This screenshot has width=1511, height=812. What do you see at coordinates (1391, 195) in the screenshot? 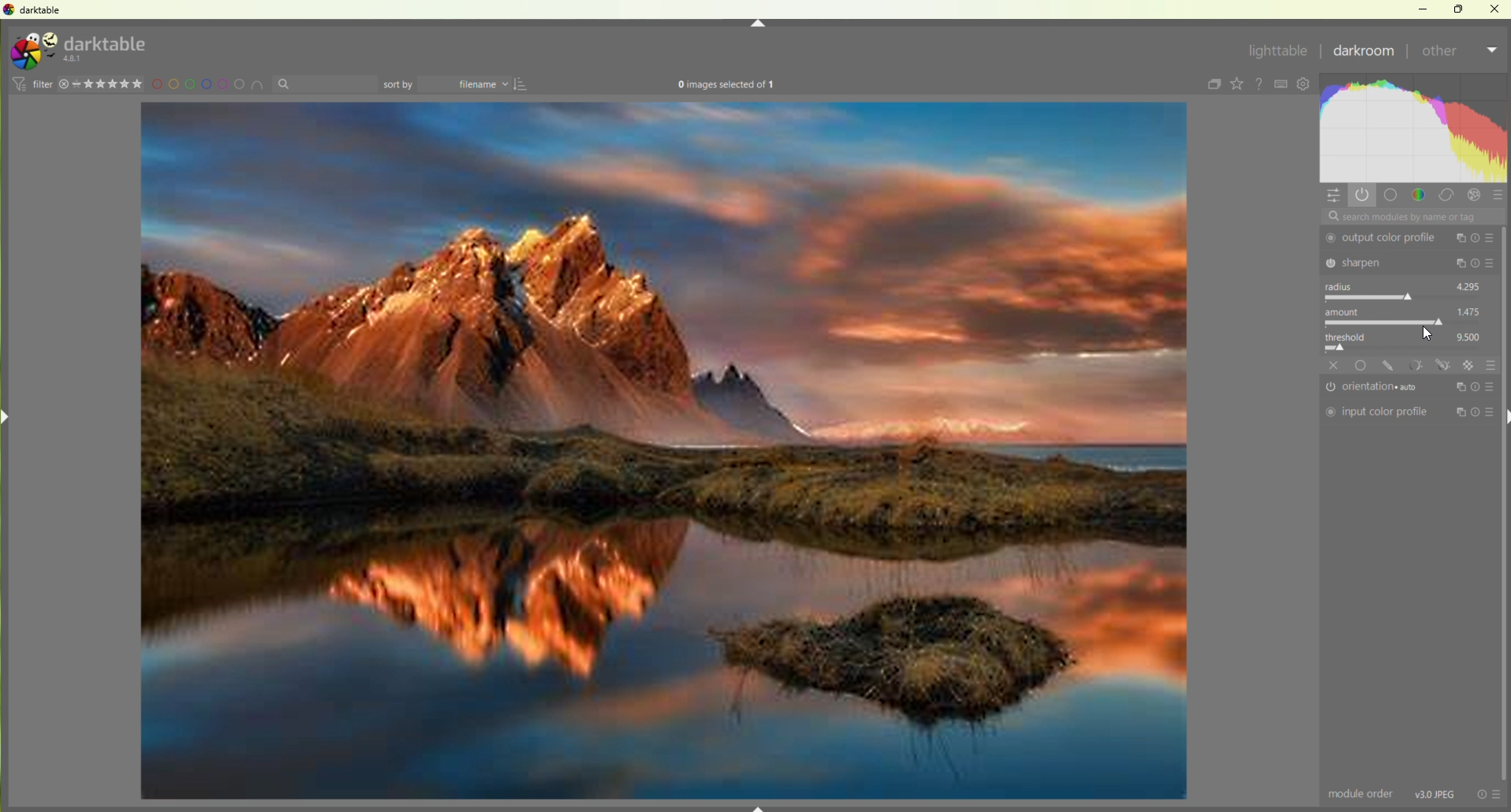
I see `base` at bounding box center [1391, 195].